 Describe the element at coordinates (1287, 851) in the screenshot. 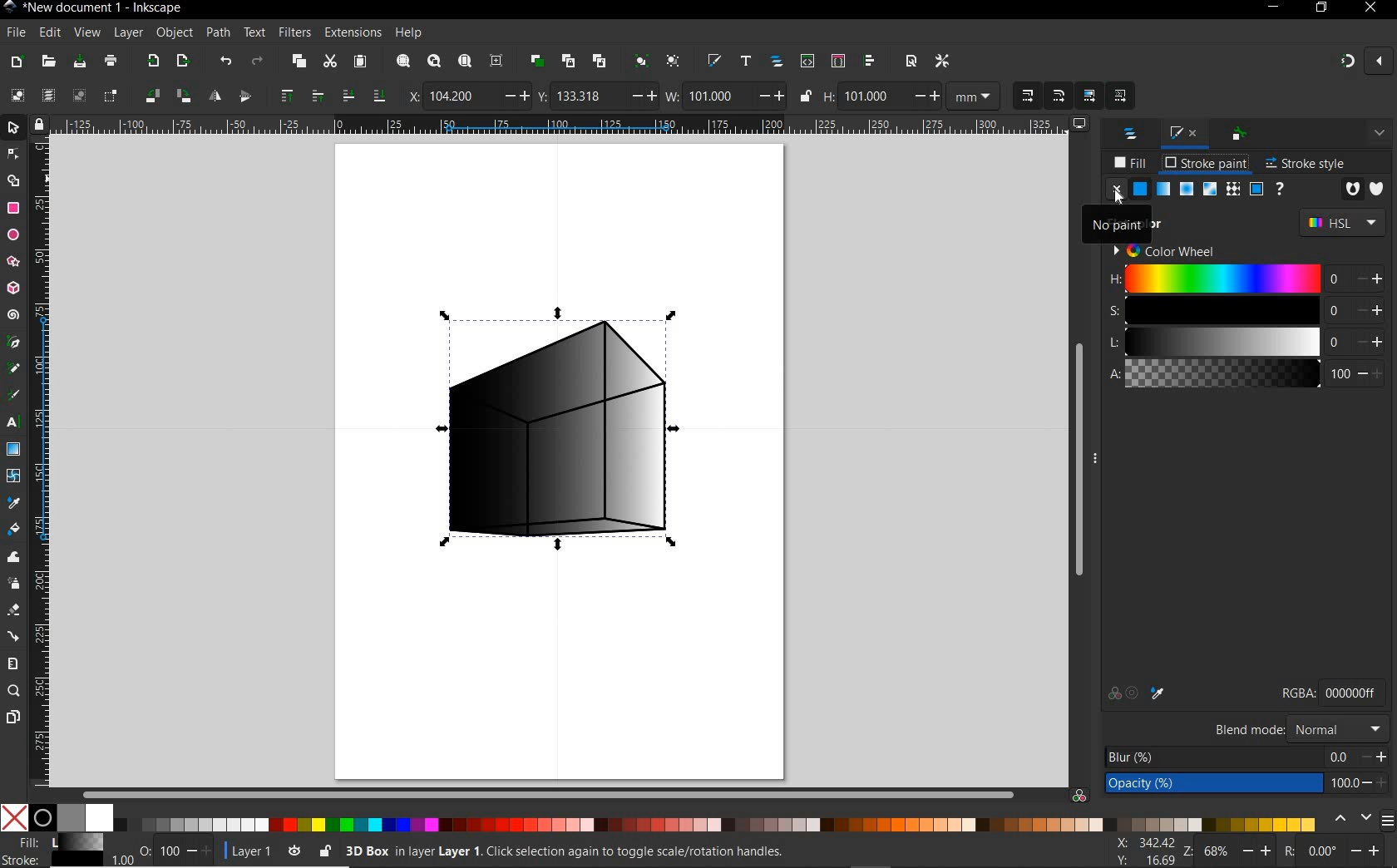

I see `ROTATION` at that location.